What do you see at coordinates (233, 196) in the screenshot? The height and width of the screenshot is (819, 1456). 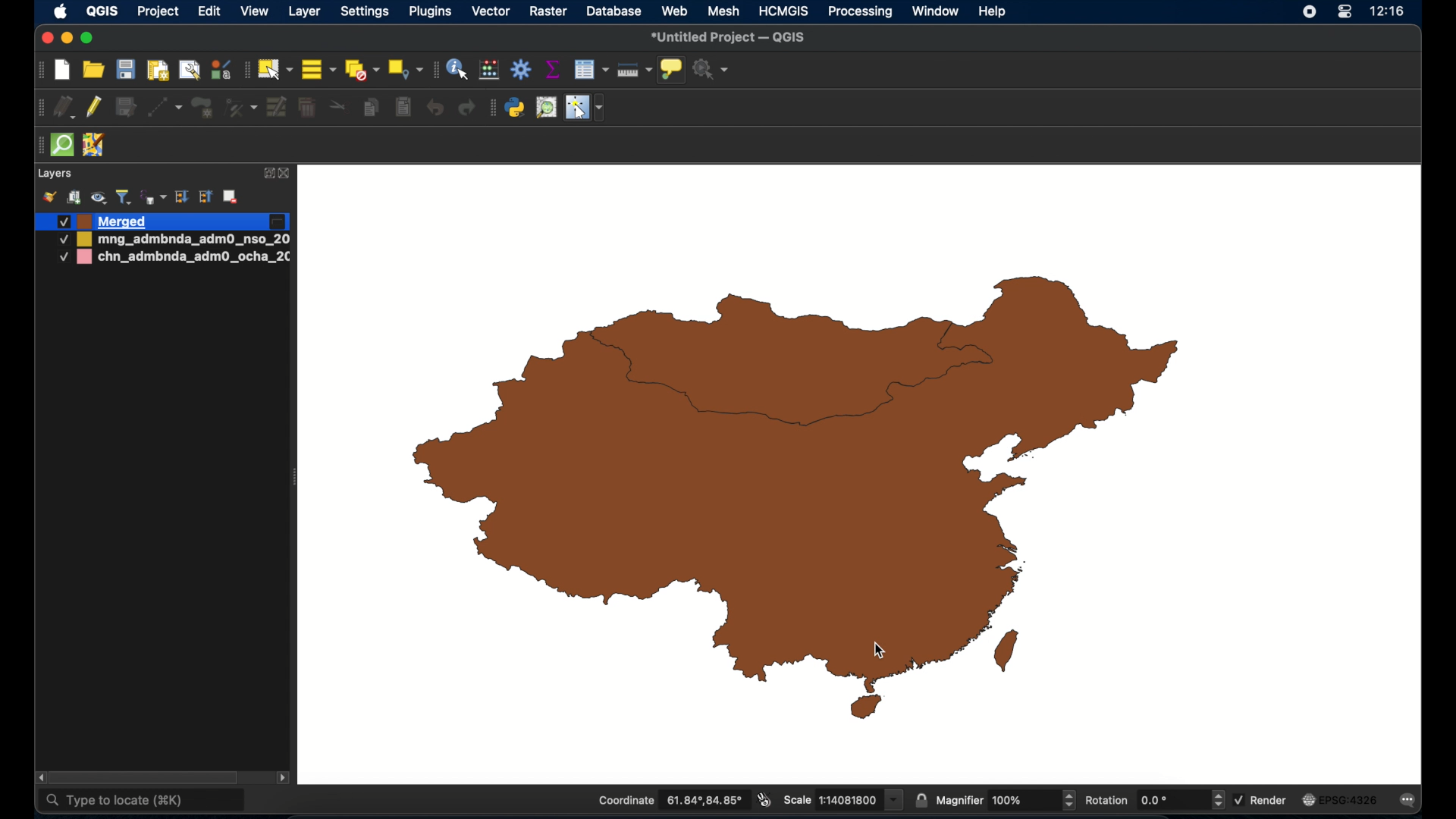 I see `remove layer/group` at bounding box center [233, 196].